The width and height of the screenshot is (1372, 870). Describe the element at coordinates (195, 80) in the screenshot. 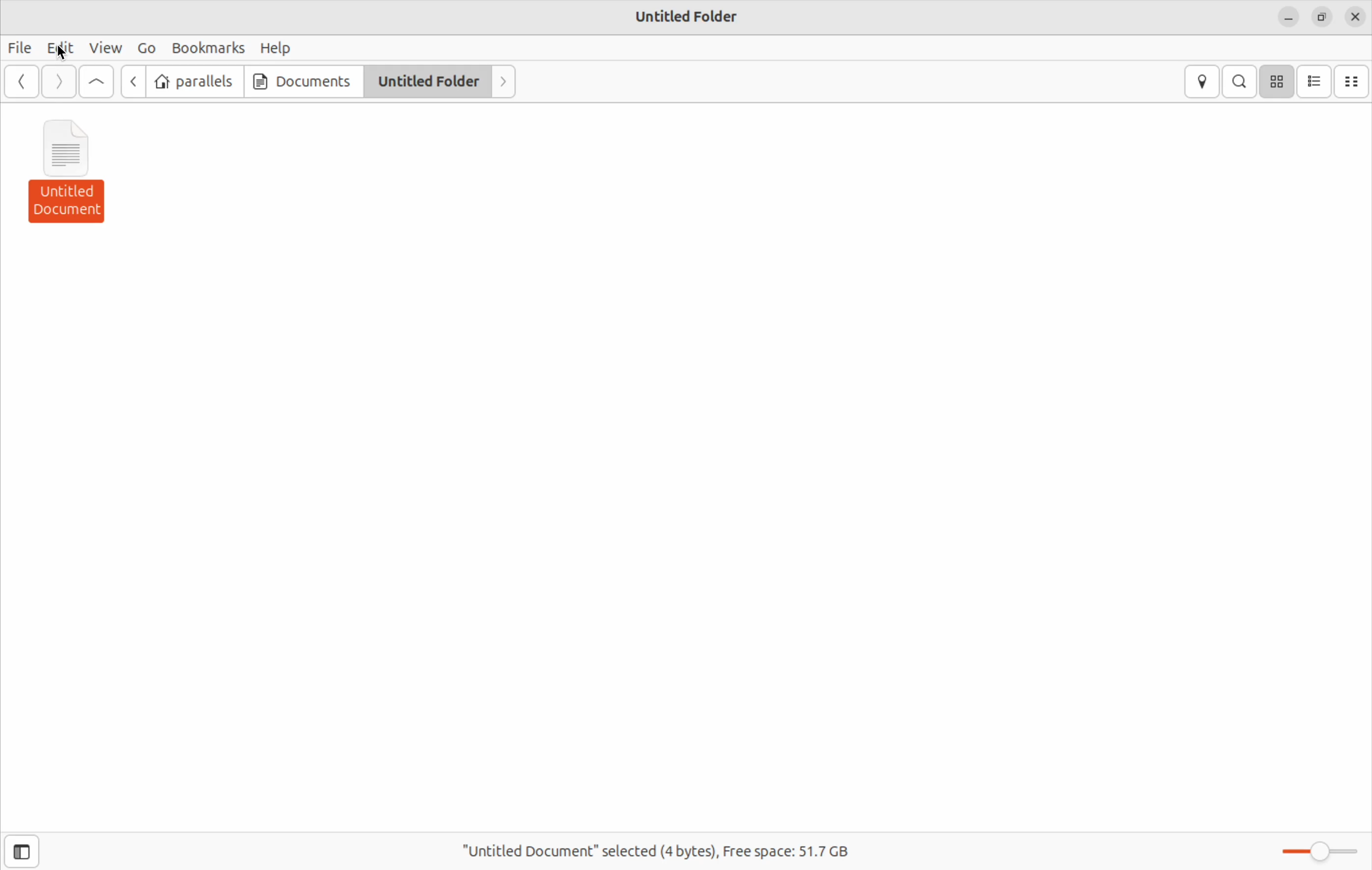

I see `parallels` at that location.